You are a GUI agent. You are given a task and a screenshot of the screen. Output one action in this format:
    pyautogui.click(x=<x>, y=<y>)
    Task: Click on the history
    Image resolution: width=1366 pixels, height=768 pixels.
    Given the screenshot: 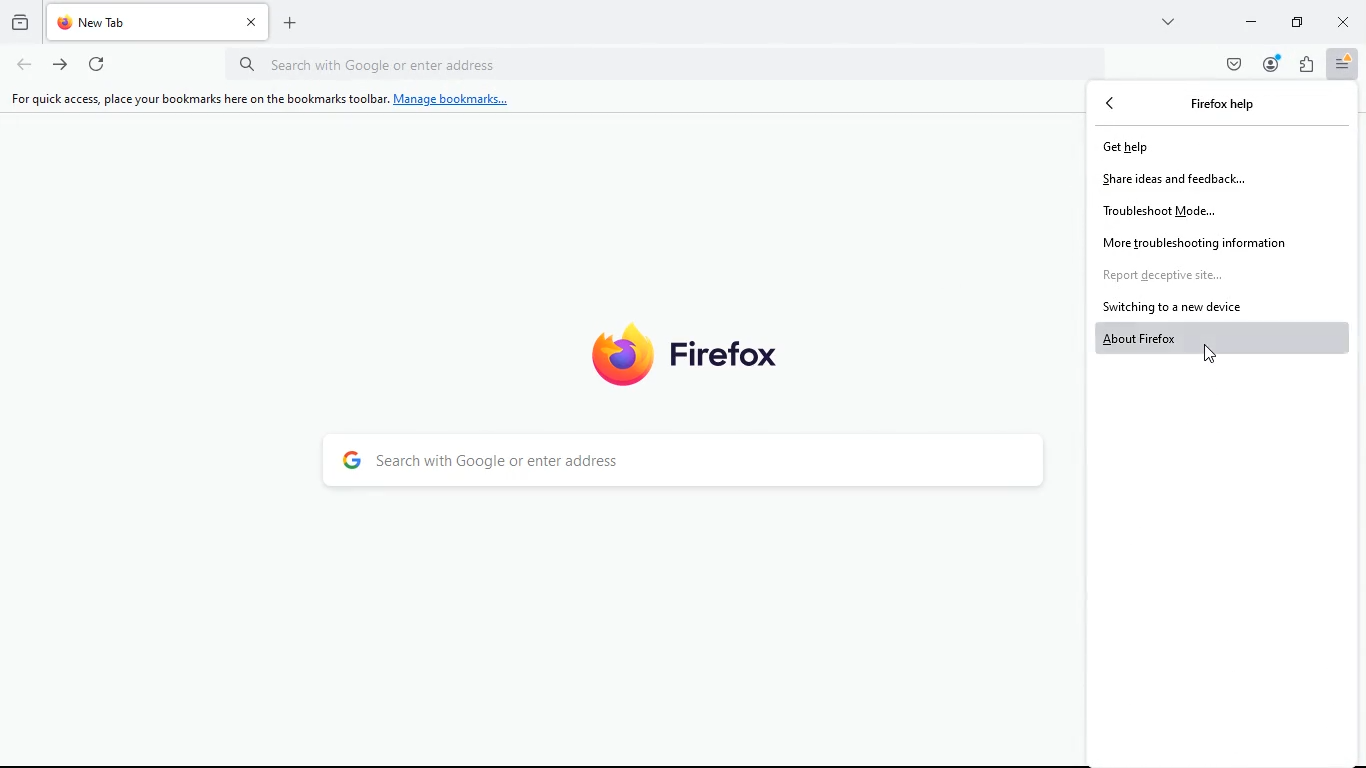 What is the action you would take?
    pyautogui.click(x=18, y=21)
    